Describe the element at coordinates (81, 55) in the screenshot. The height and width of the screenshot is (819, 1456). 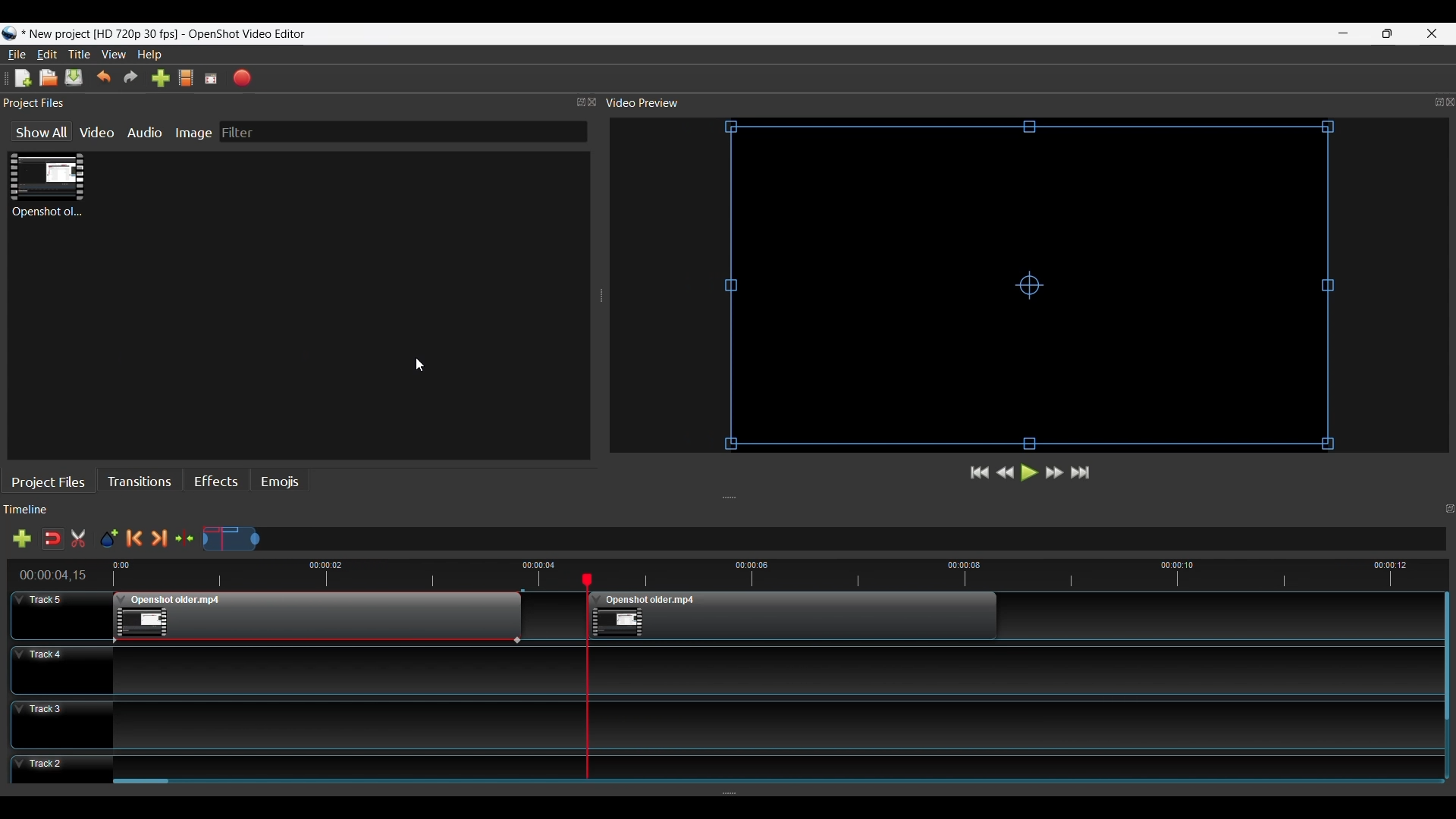
I see `Title` at that location.